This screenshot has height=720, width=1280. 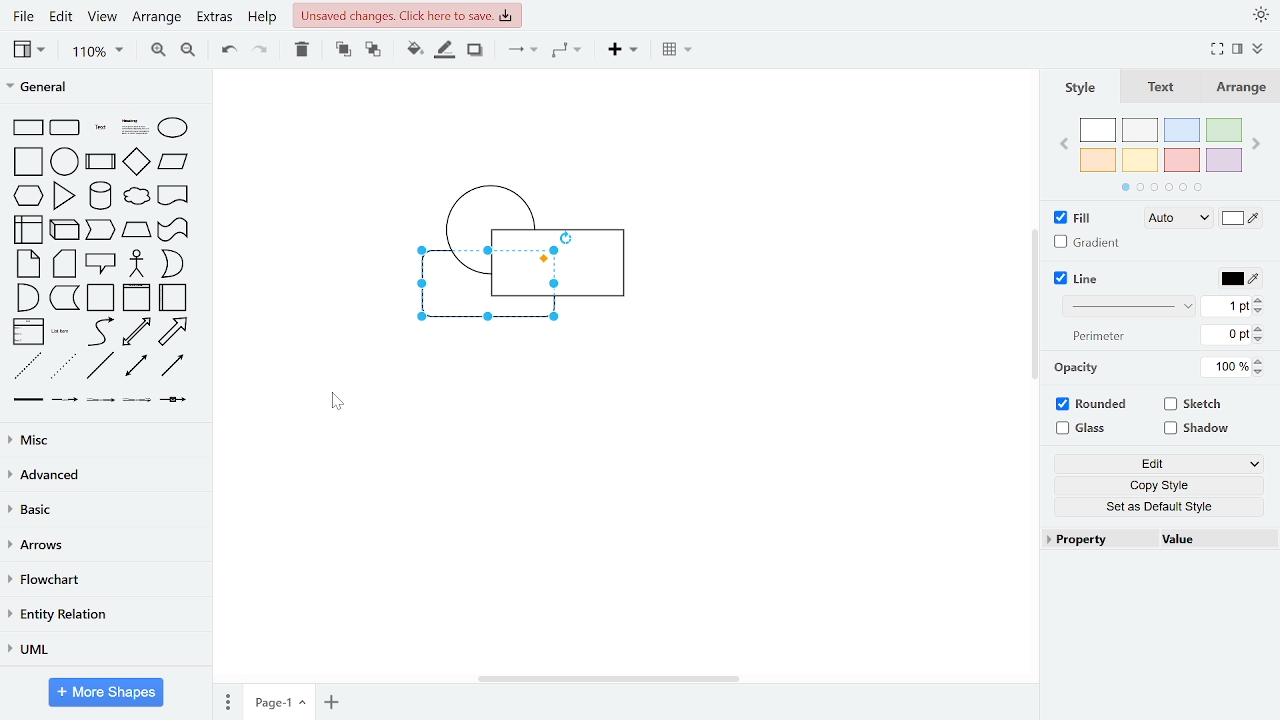 I want to click on shadow, so click(x=1196, y=430).